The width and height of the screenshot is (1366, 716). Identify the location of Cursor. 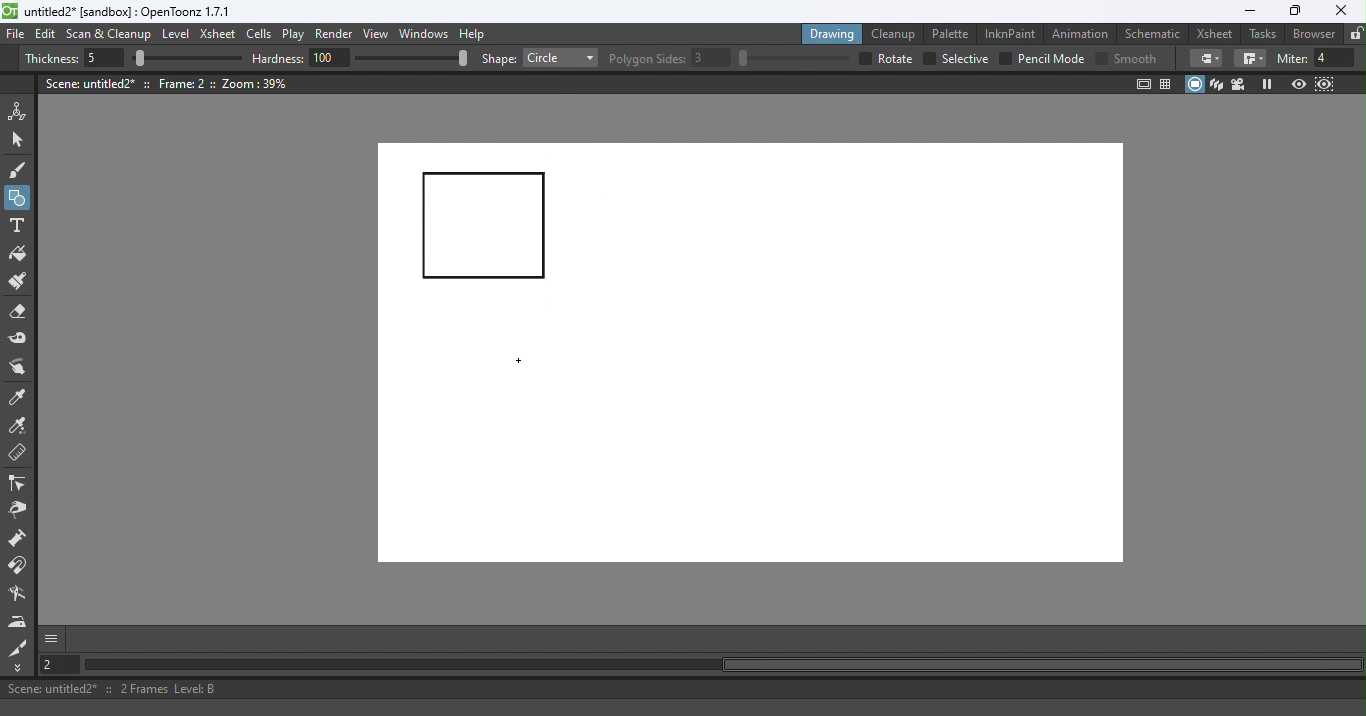
(519, 360).